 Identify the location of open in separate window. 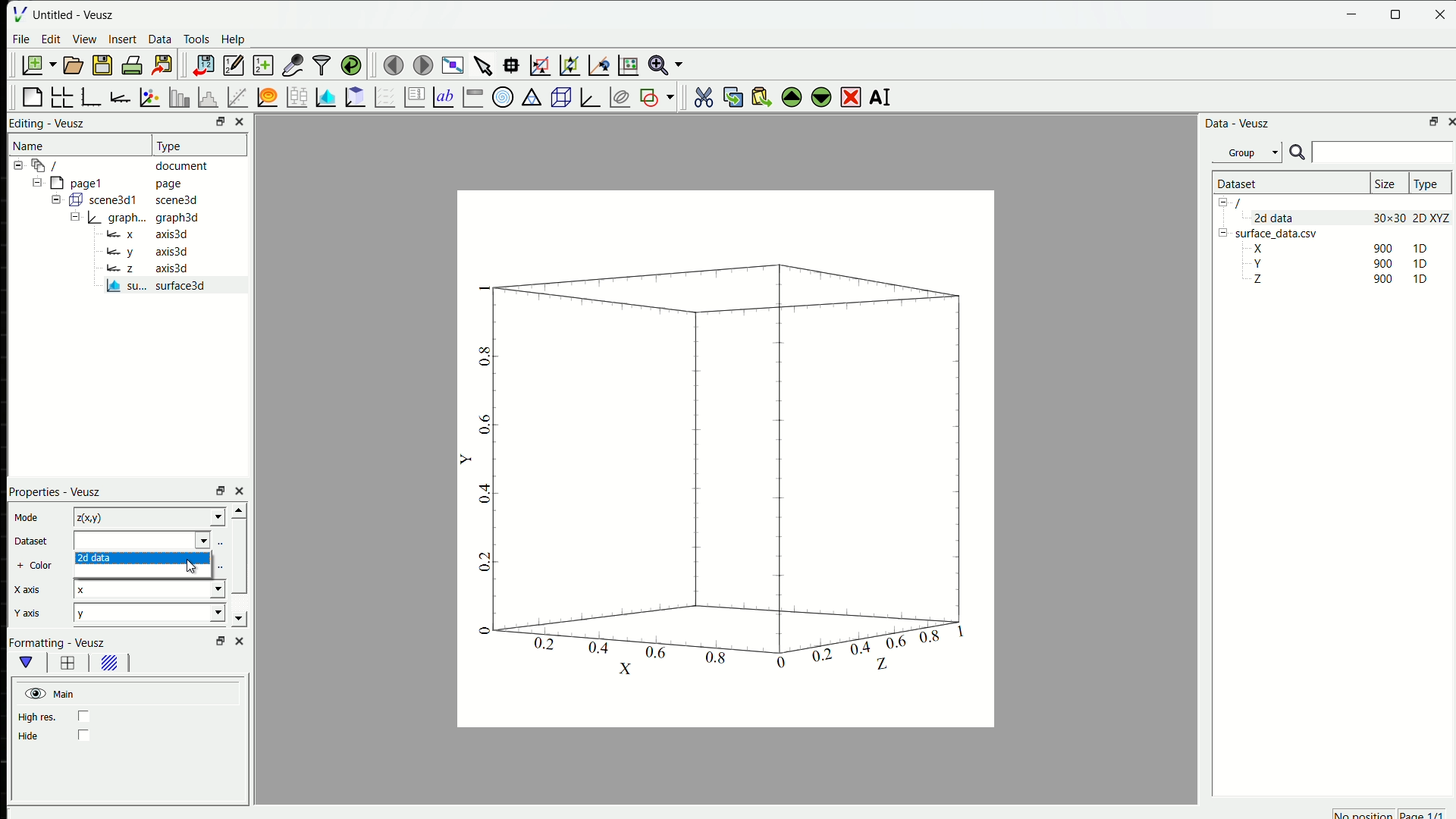
(221, 490).